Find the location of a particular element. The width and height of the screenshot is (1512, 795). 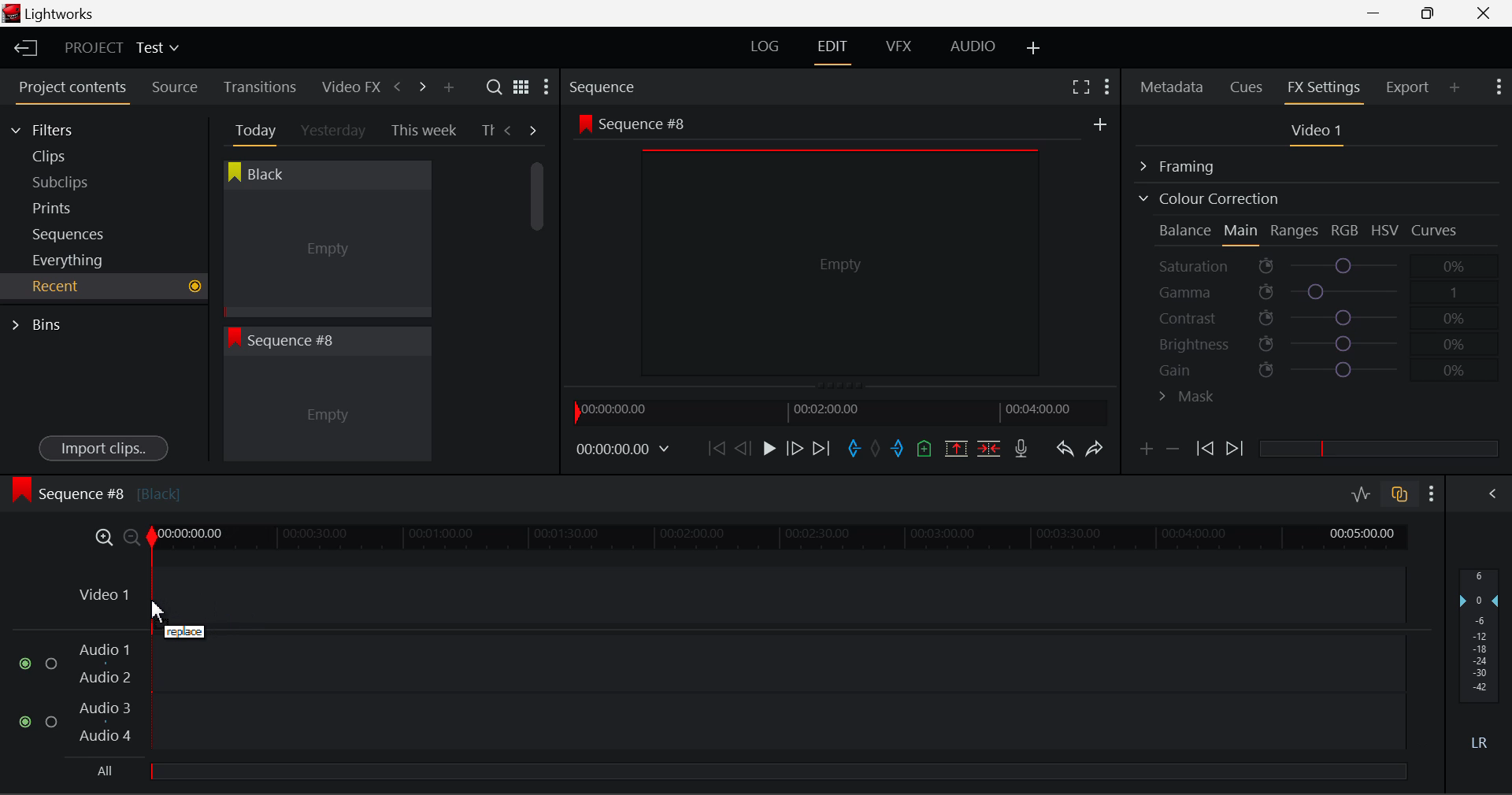

Video Input Field is located at coordinates (737, 595).